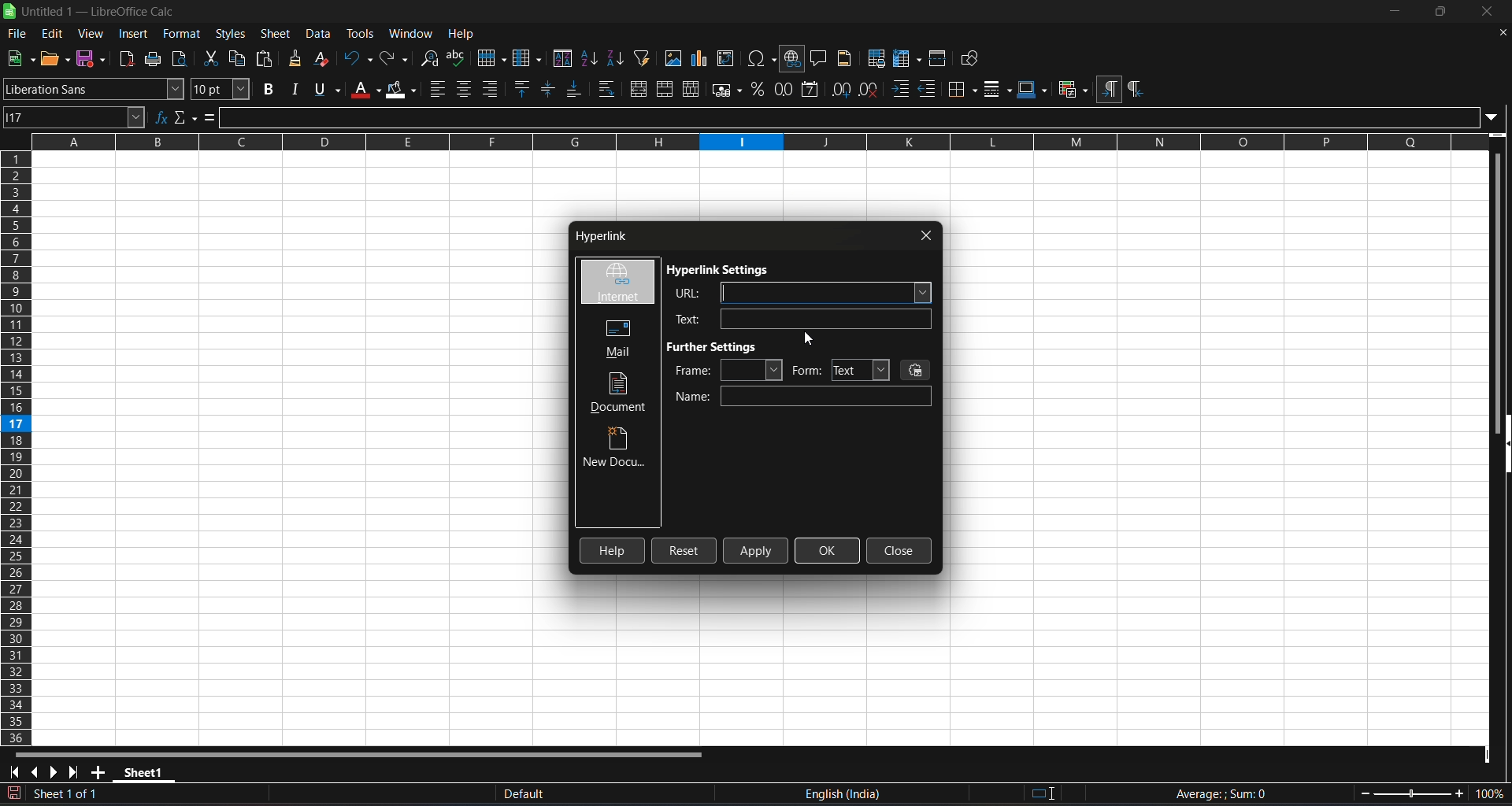 Image resolution: width=1512 pixels, height=806 pixels. I want to click on new document, so click(617, 449).